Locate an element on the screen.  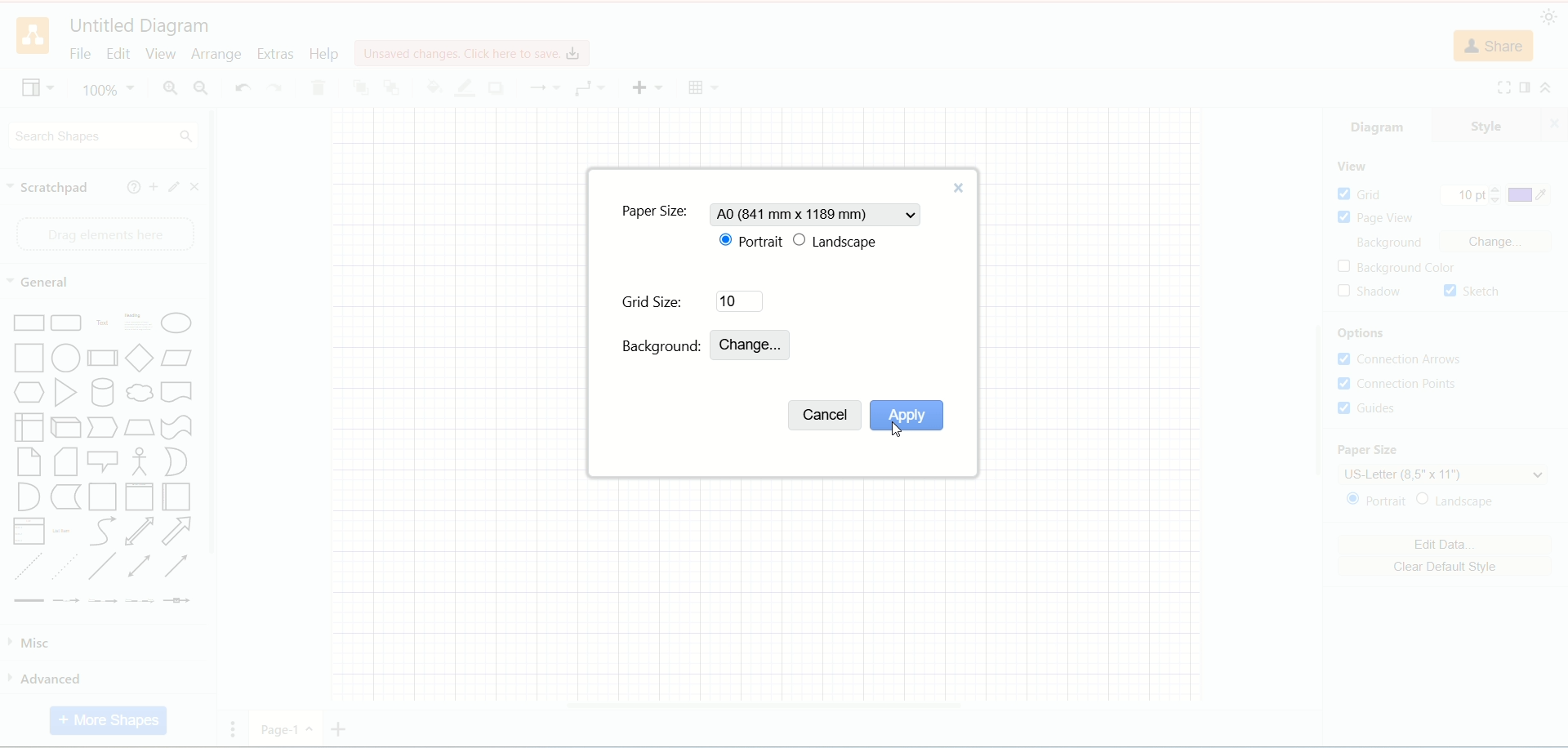
extras is located at coordinates (276, 52).